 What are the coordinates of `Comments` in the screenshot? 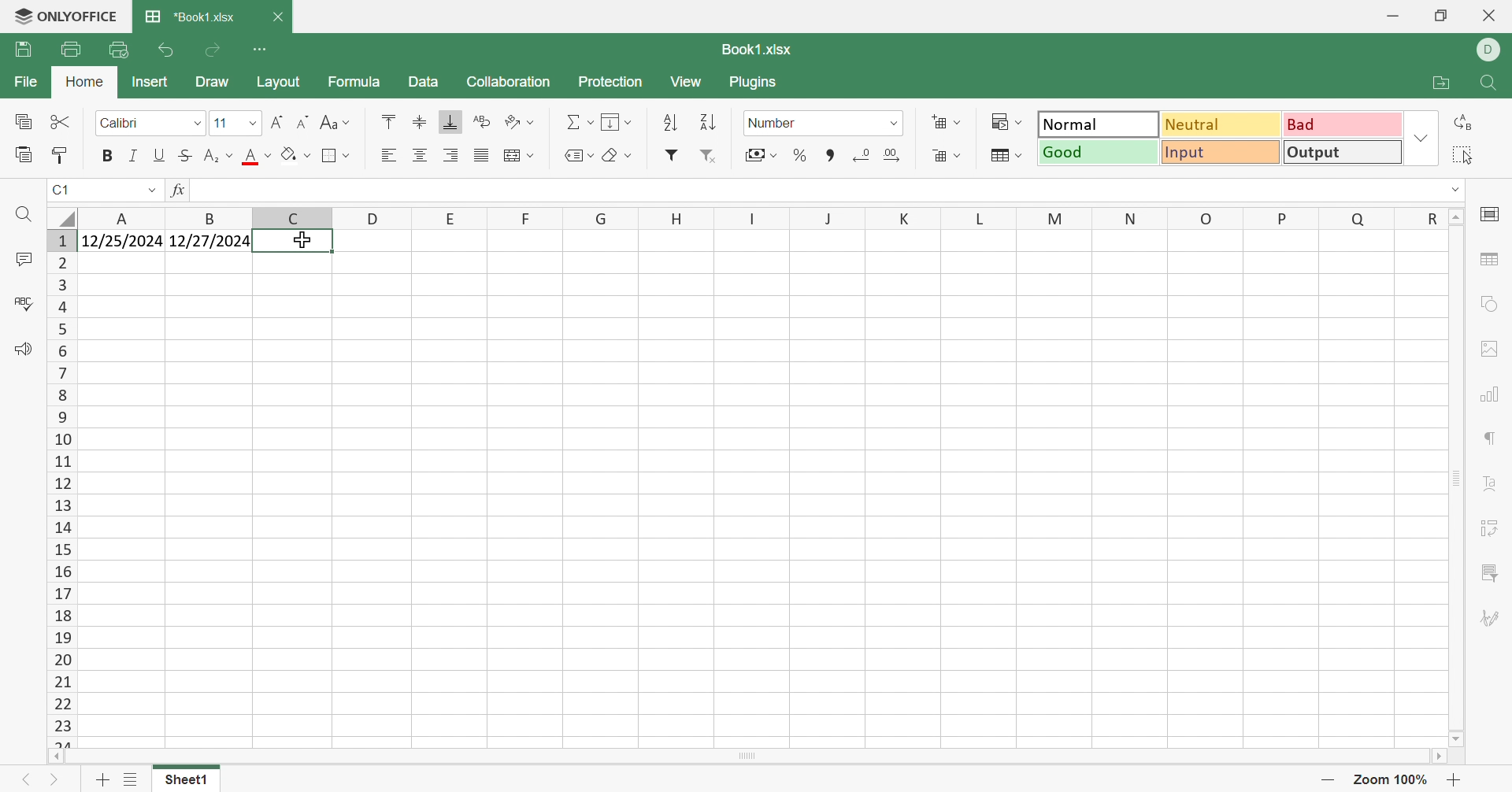 It's located at (22, 258).